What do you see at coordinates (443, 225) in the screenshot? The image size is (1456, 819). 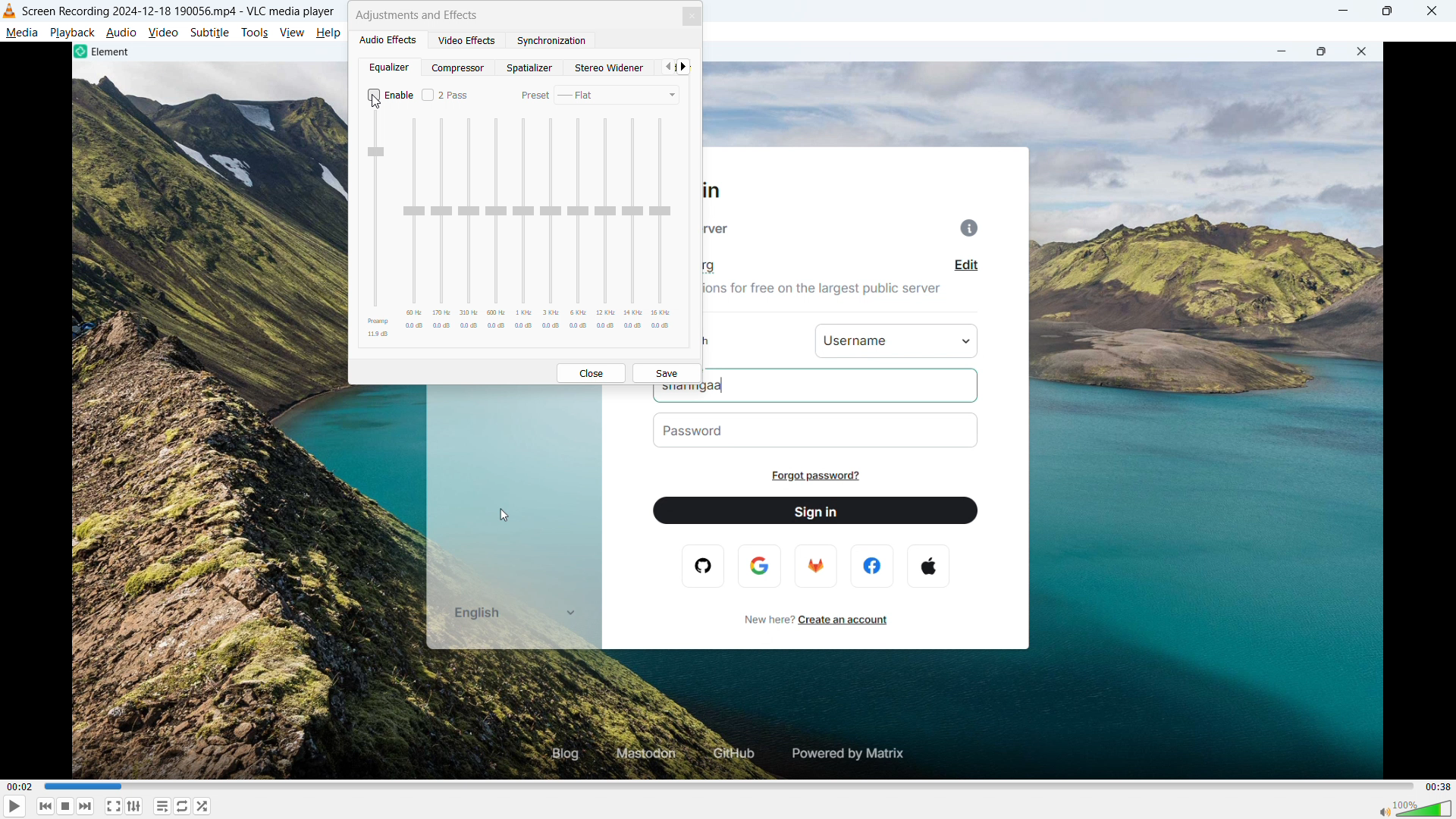 I see `Adjust 170 Hertz` at bounding box center [443, 225].